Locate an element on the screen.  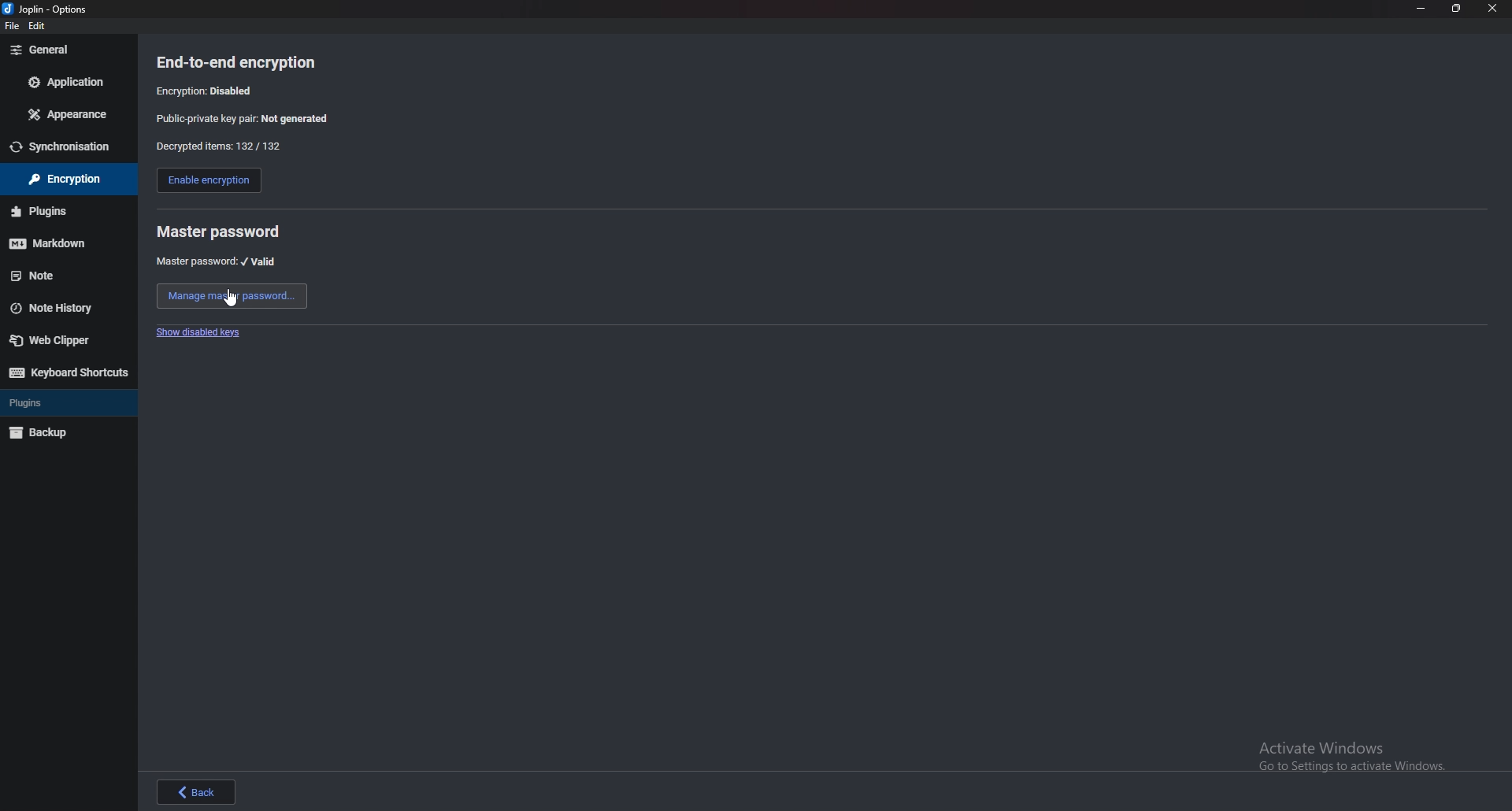
plugins is located at coordinates (61, 211).